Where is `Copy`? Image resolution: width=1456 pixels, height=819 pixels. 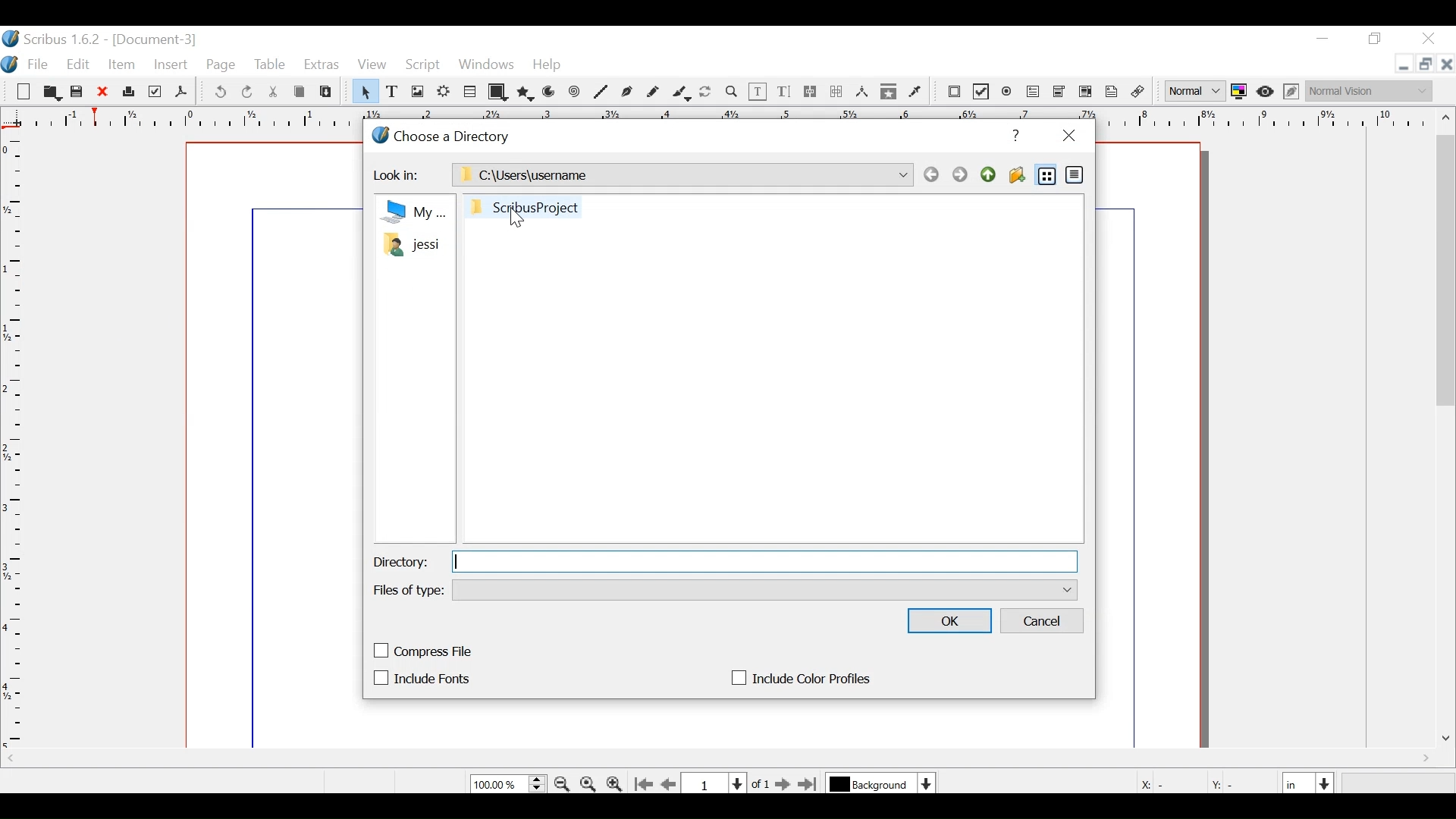
Copy is located at coordinates (299, 92).